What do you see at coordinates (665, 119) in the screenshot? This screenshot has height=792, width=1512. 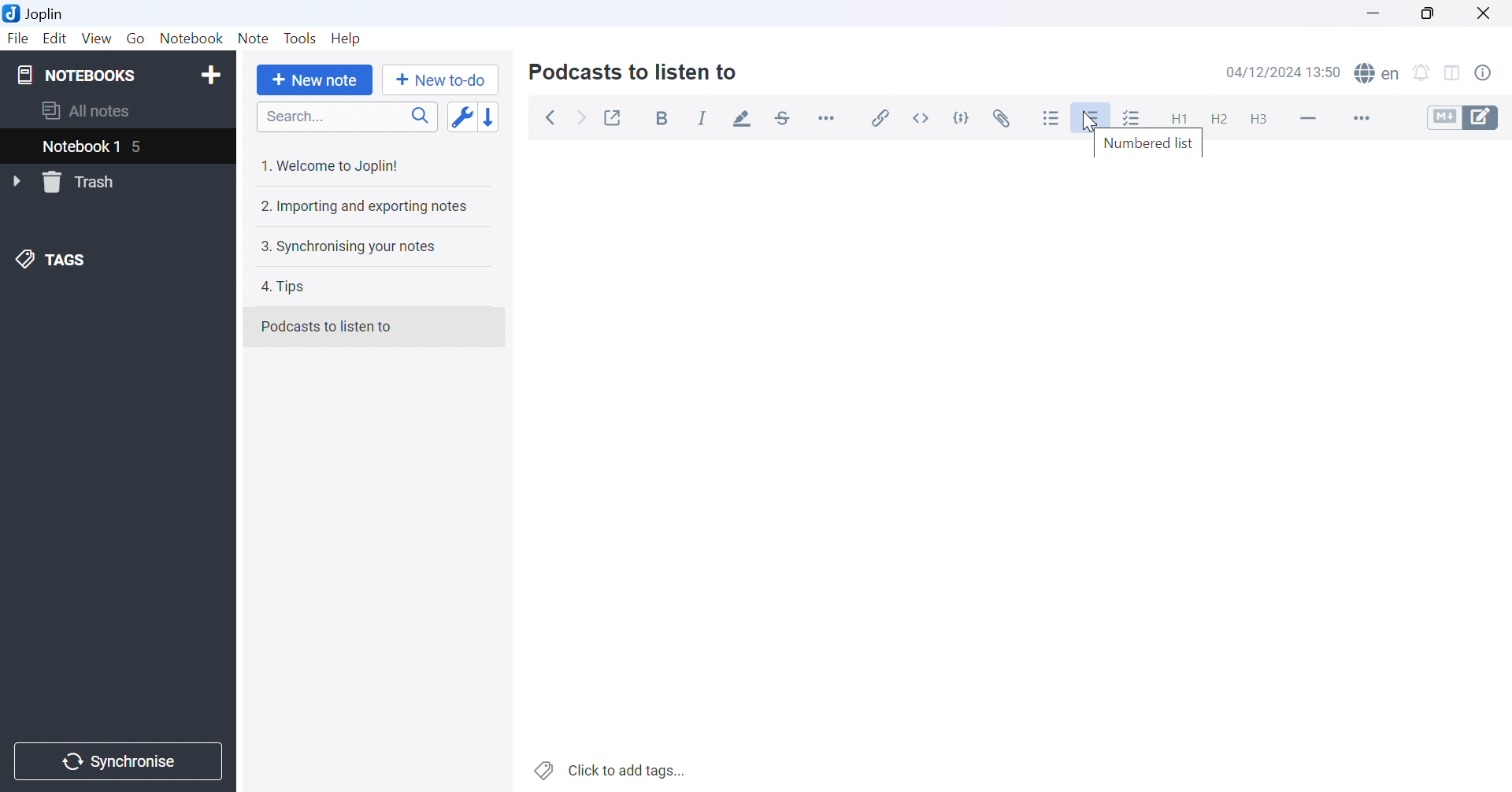 I see `Bold` at bounding box center [665, 119].